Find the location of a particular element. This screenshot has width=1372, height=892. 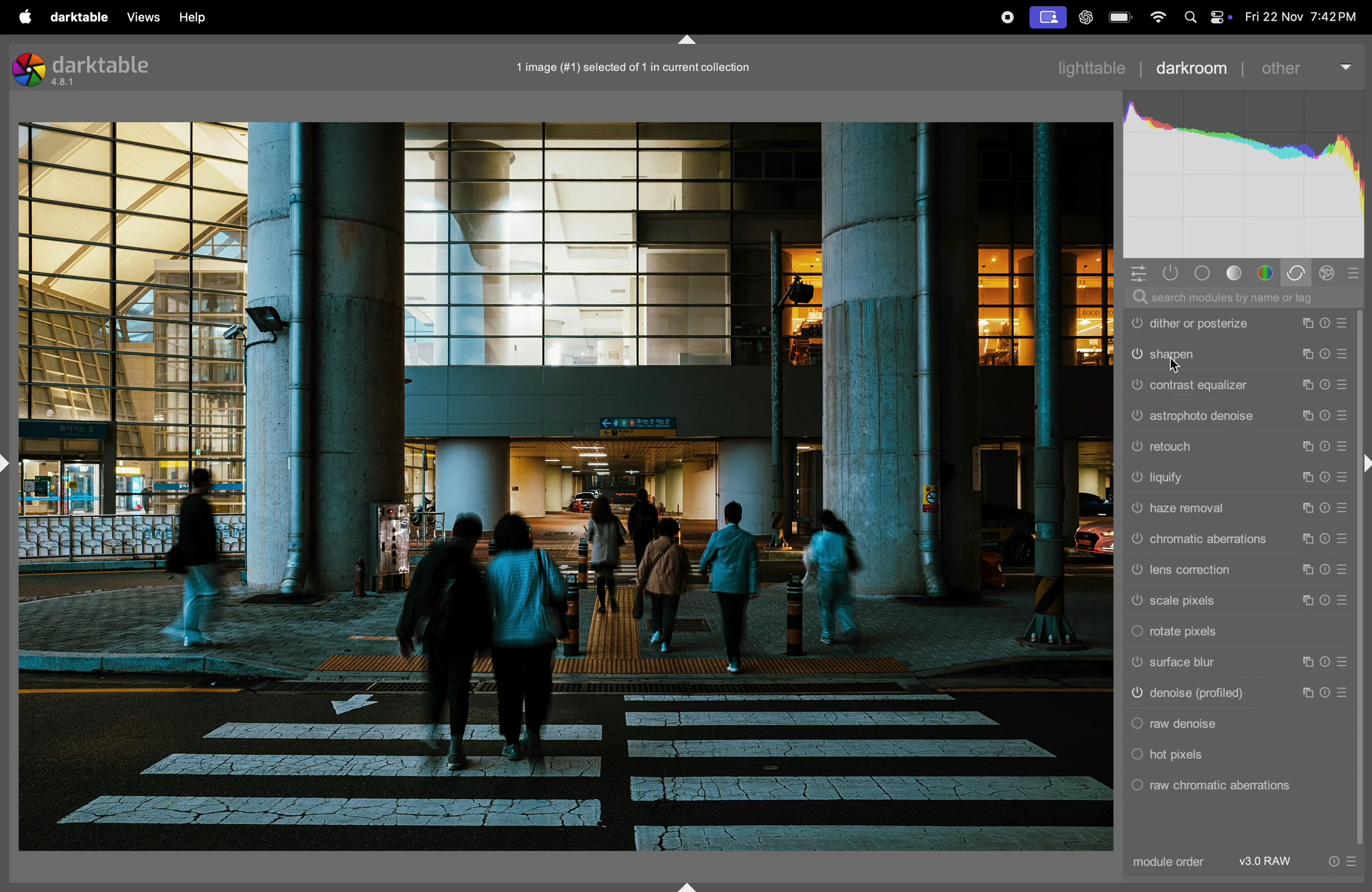

image is located at coordinates (566, 487).